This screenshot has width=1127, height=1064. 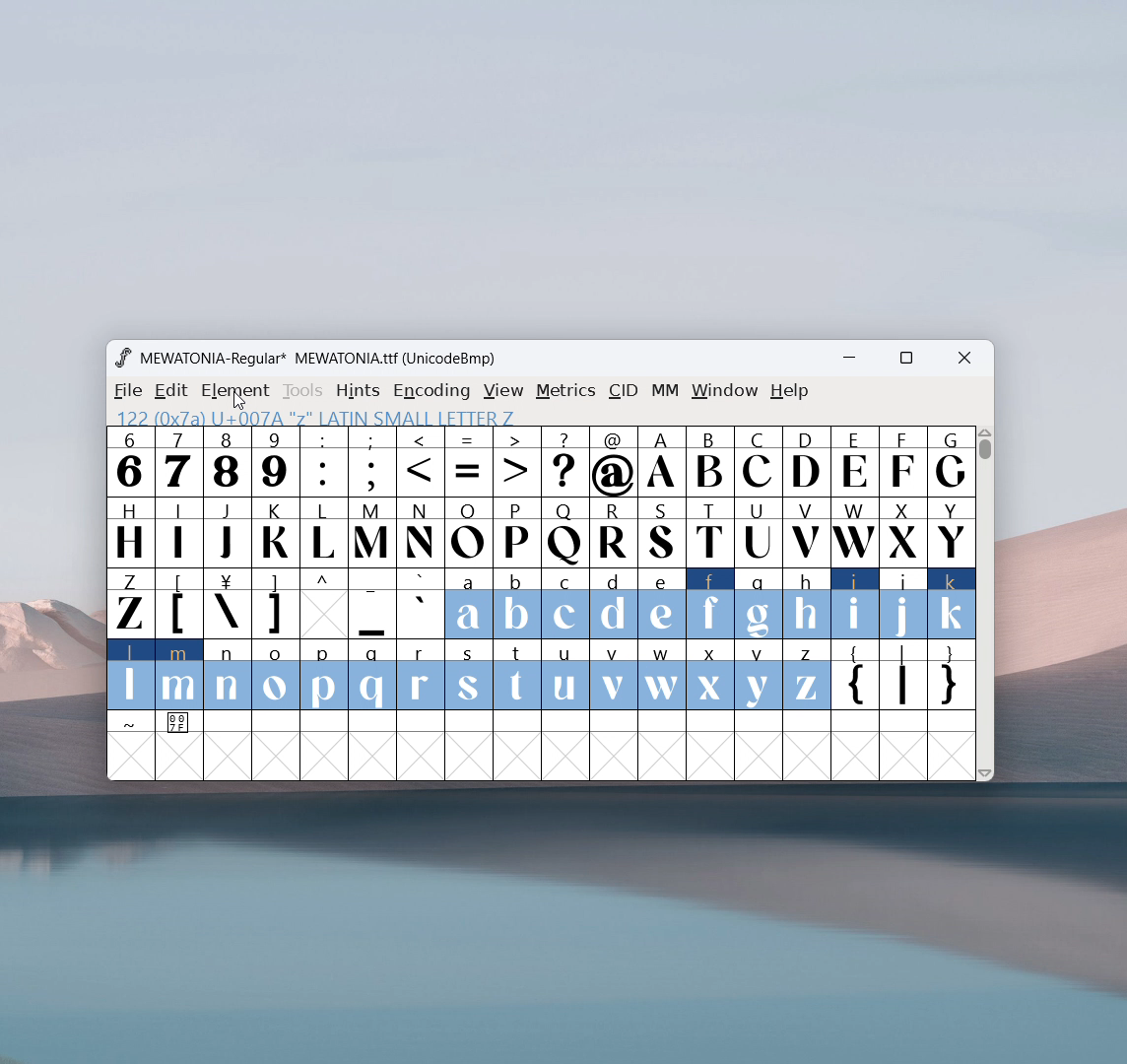 I want to click on d, so click(x=613, y=604).